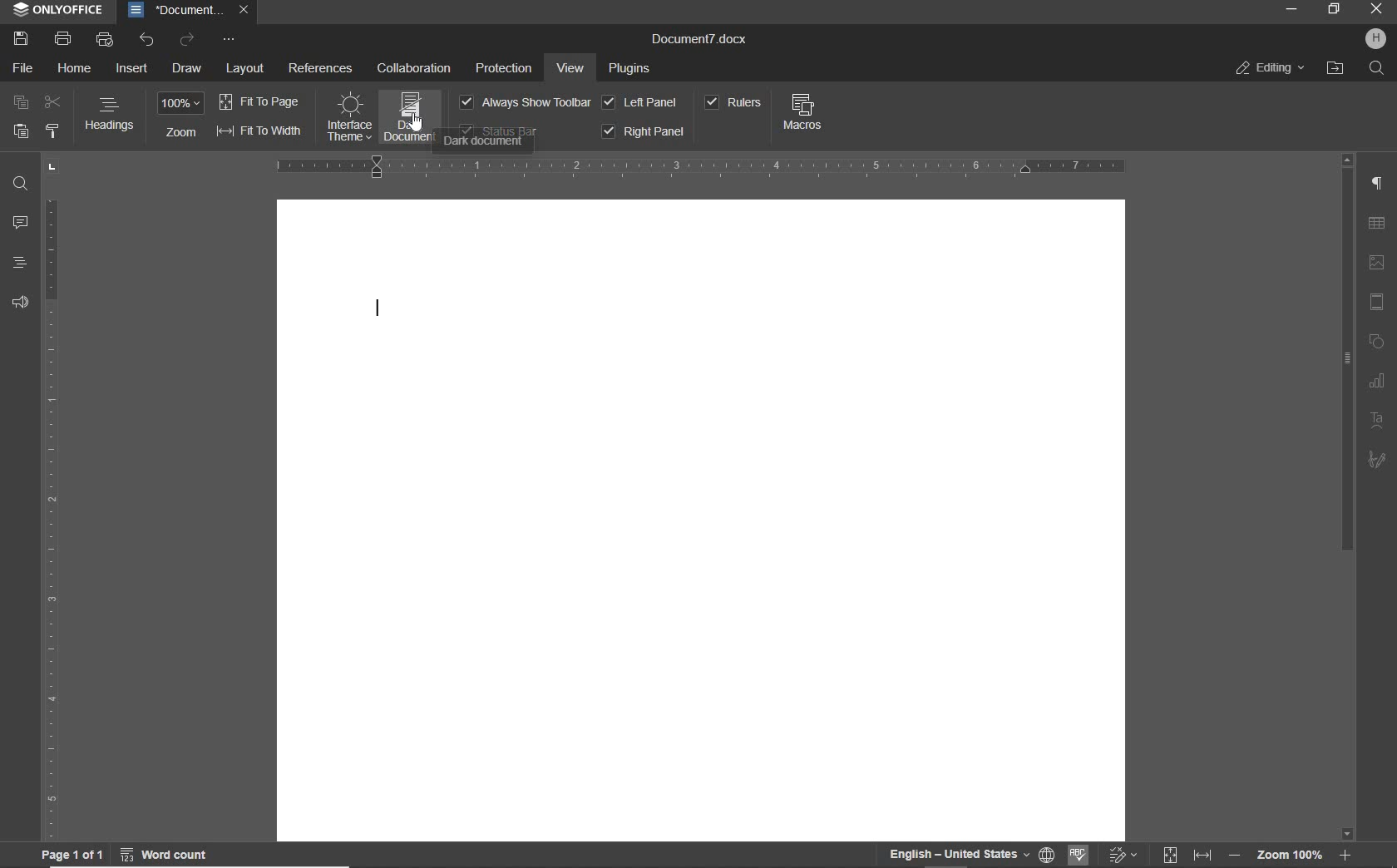 The height and width of the screenshot is (868, 1397). Describe the element at coordinates (1291, 8) in the screenshot. I see `MINIMIZE` at that location.